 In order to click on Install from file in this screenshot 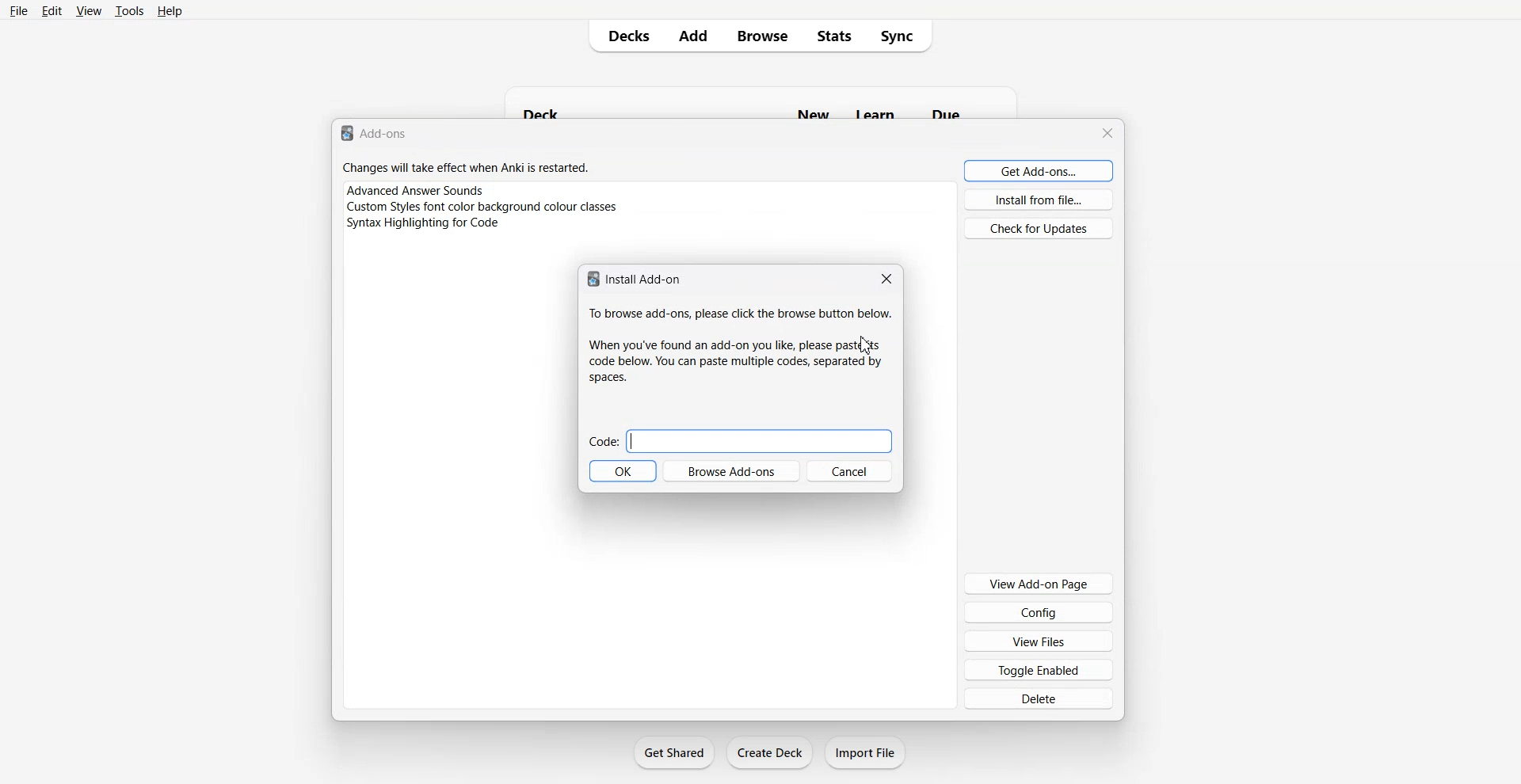, I will do `click(1039, 200)`.